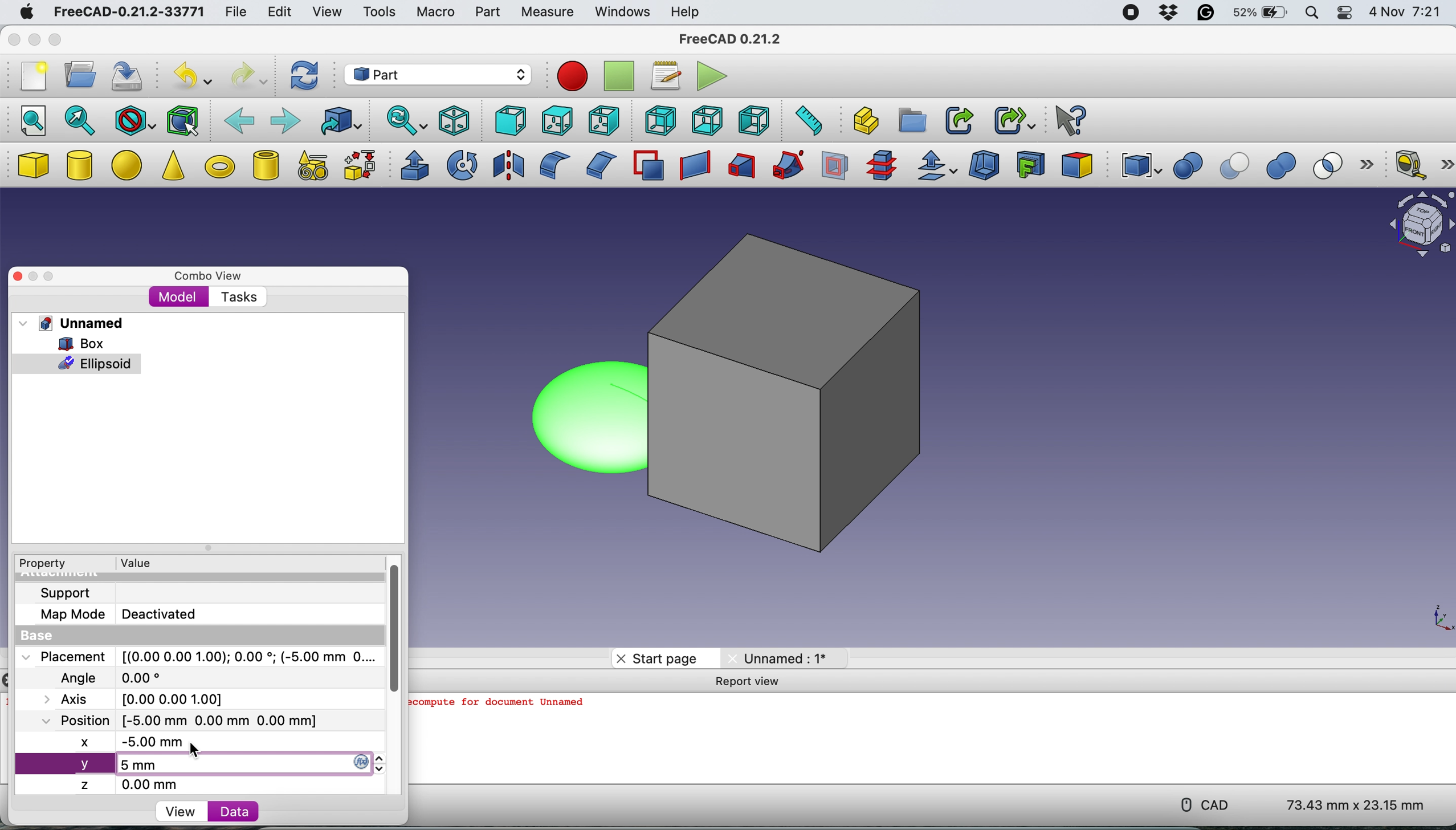  Describe the element at coordinates (959, 120) in the screenshot. I see `make link` at that location.